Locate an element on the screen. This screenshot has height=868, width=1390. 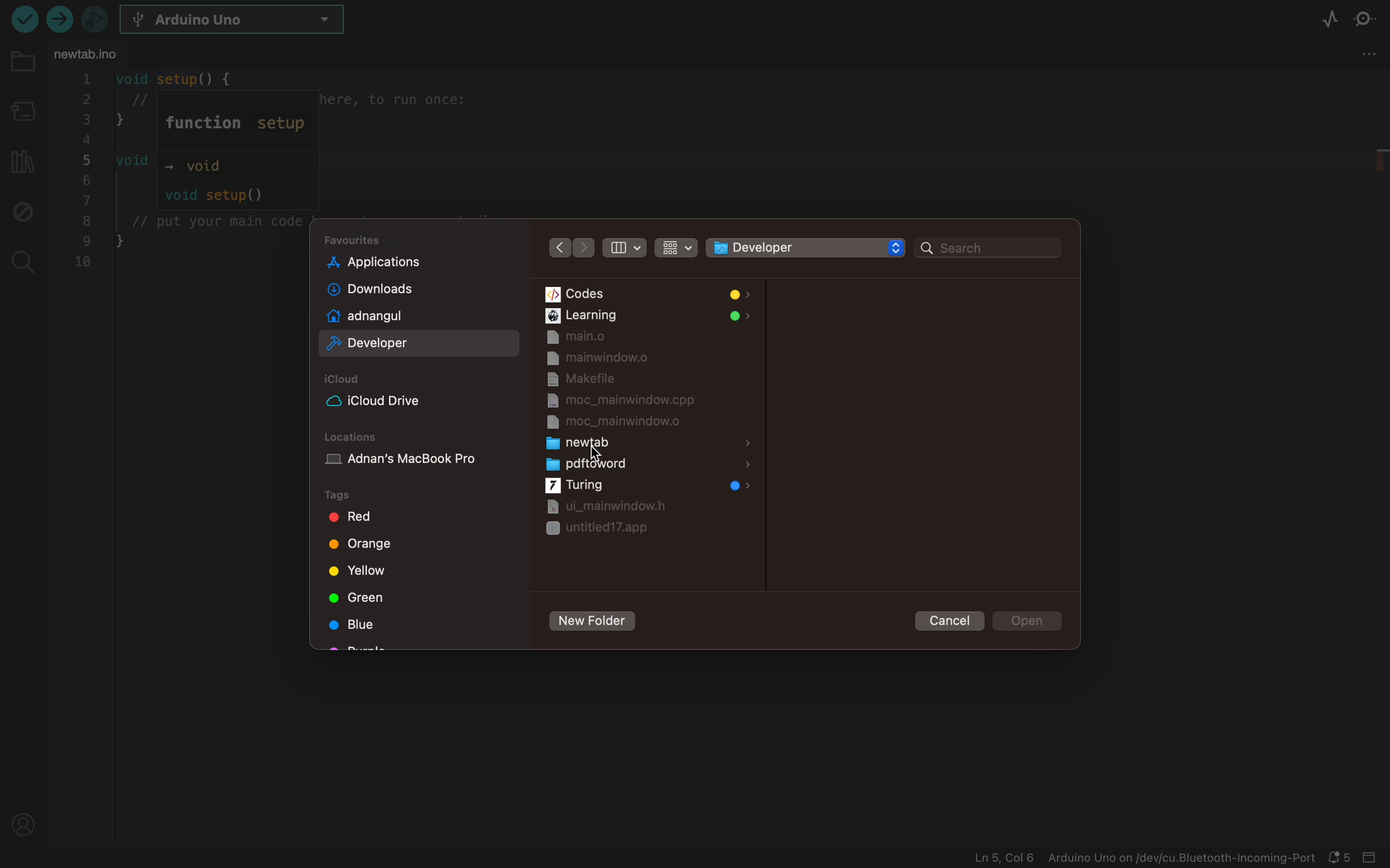
tags is located at coordinates (360, 625).